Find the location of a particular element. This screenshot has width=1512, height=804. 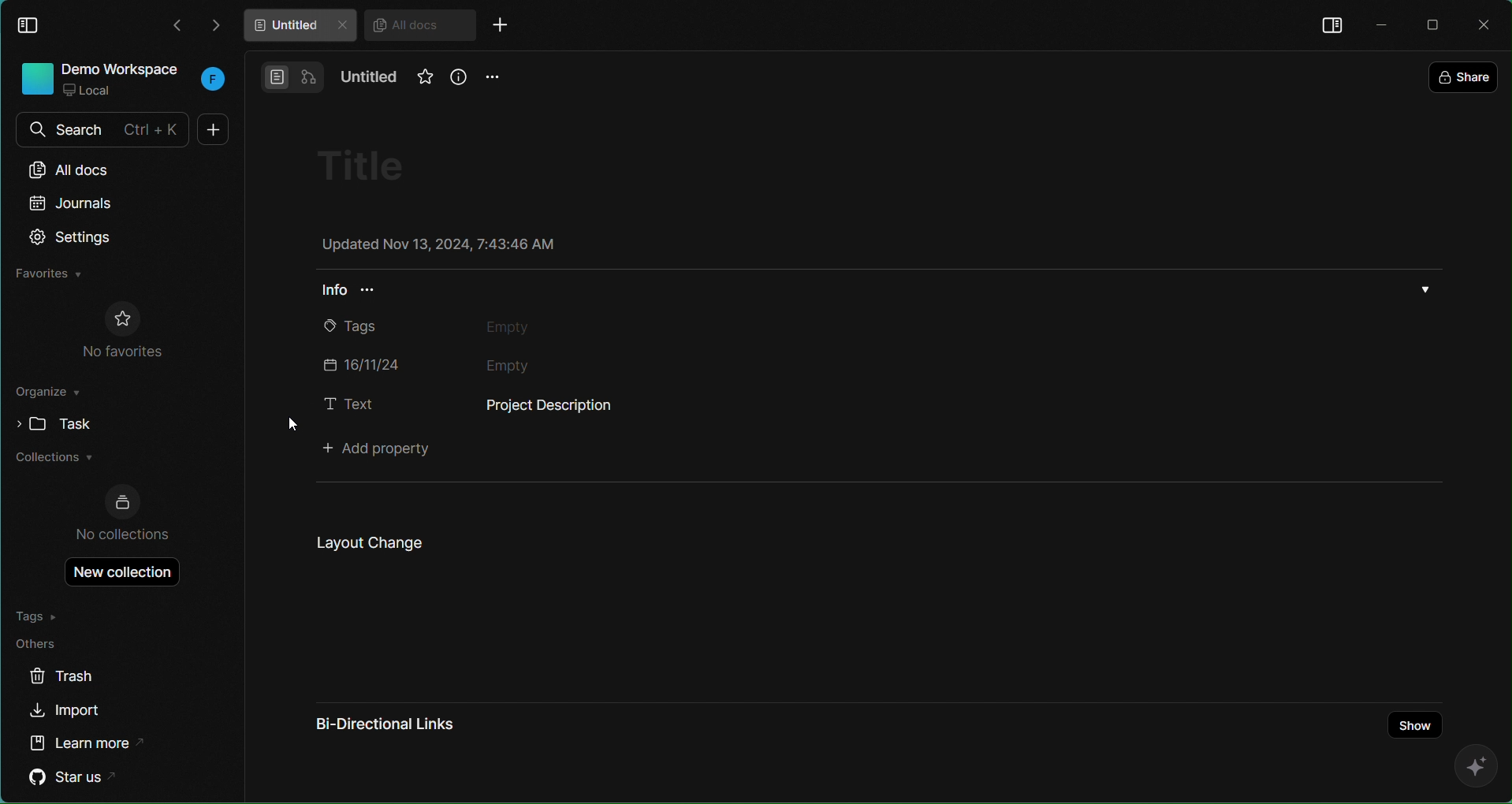

Add Property is located at coordinates (384, 450).